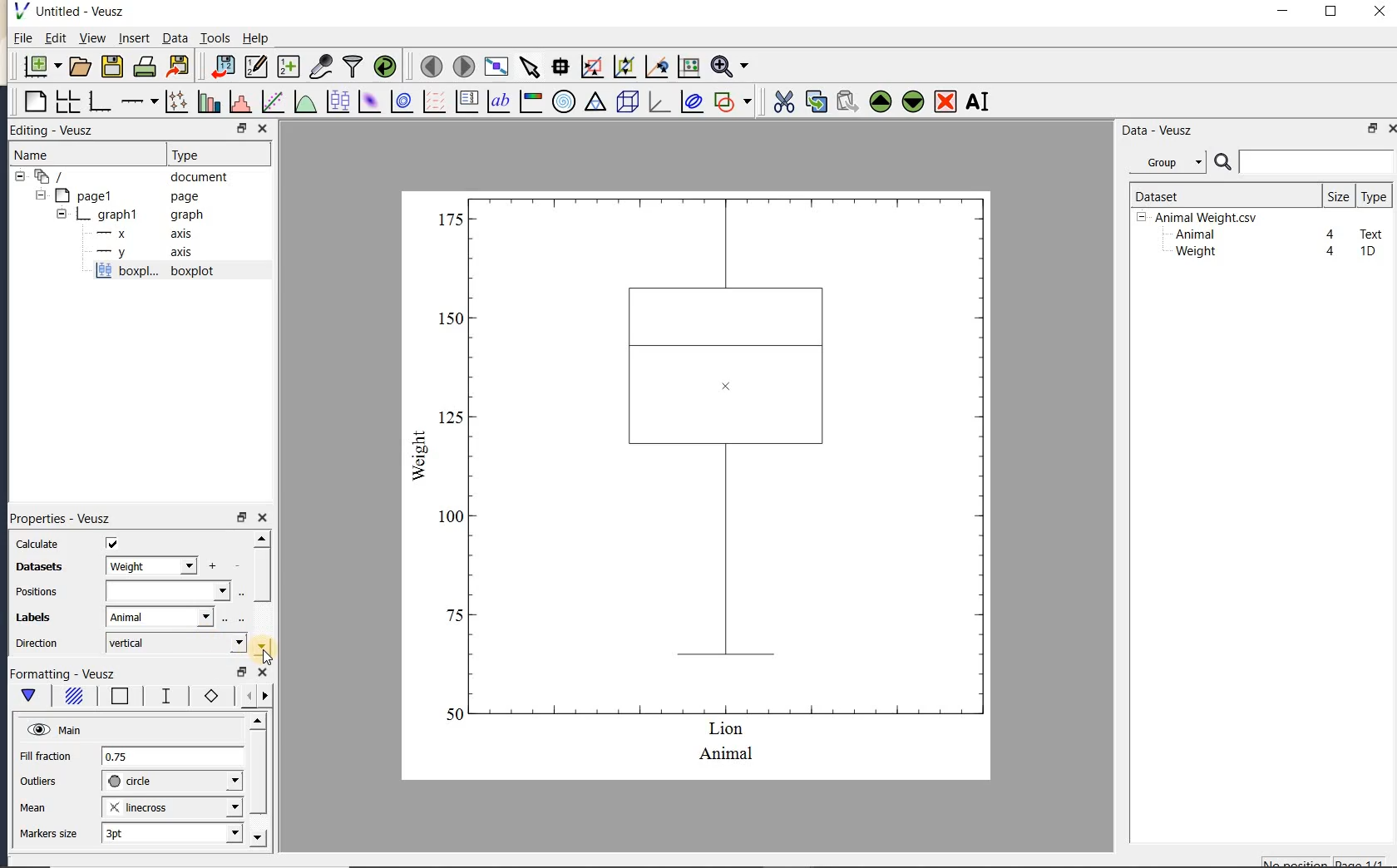 This screenshot has height=868, width=1397. What do you see at coordinates (163, 696) in the screenshot?
I see `whisker line` at bounding box center [163, 696].